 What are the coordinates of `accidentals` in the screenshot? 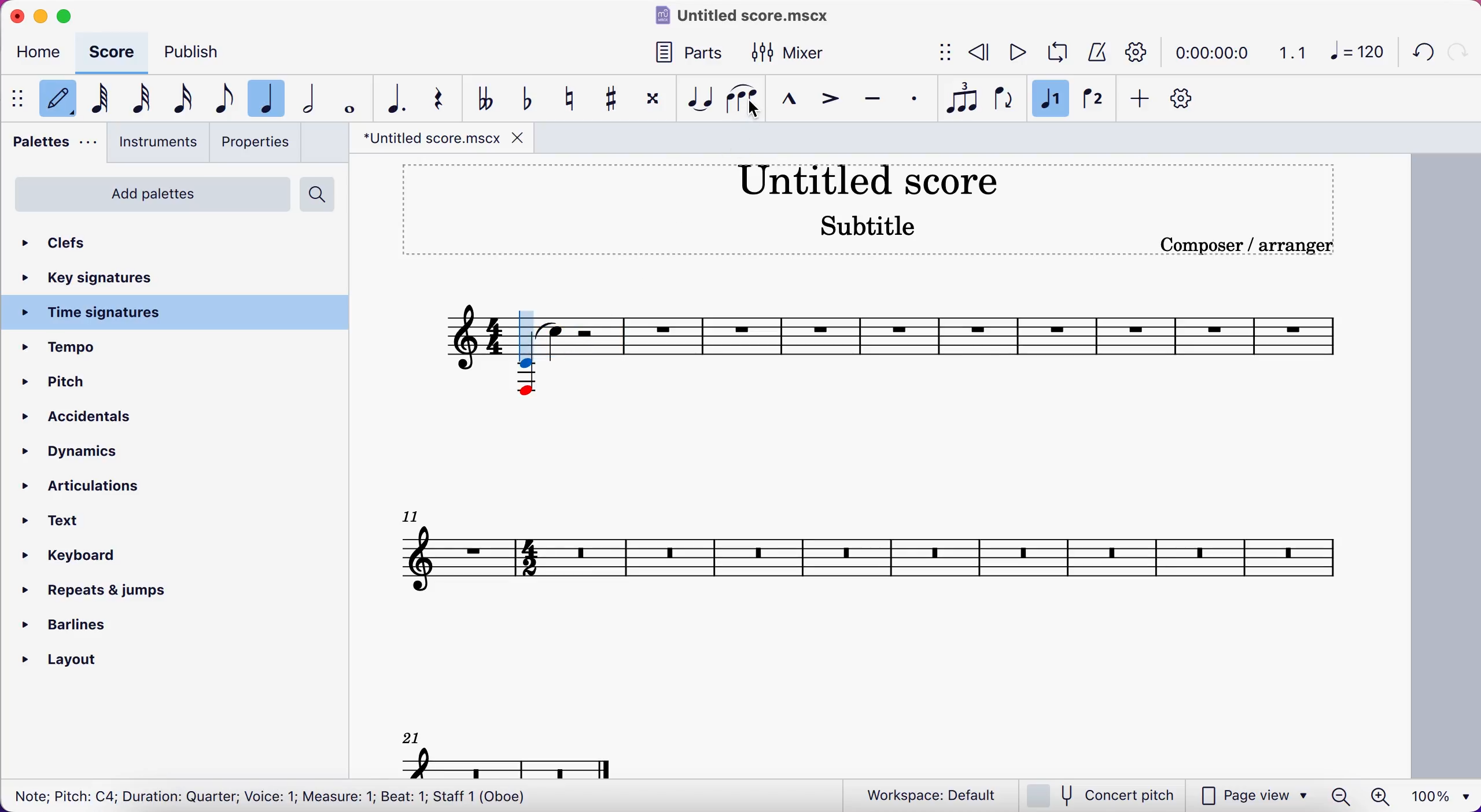 It's located at (116, 419).